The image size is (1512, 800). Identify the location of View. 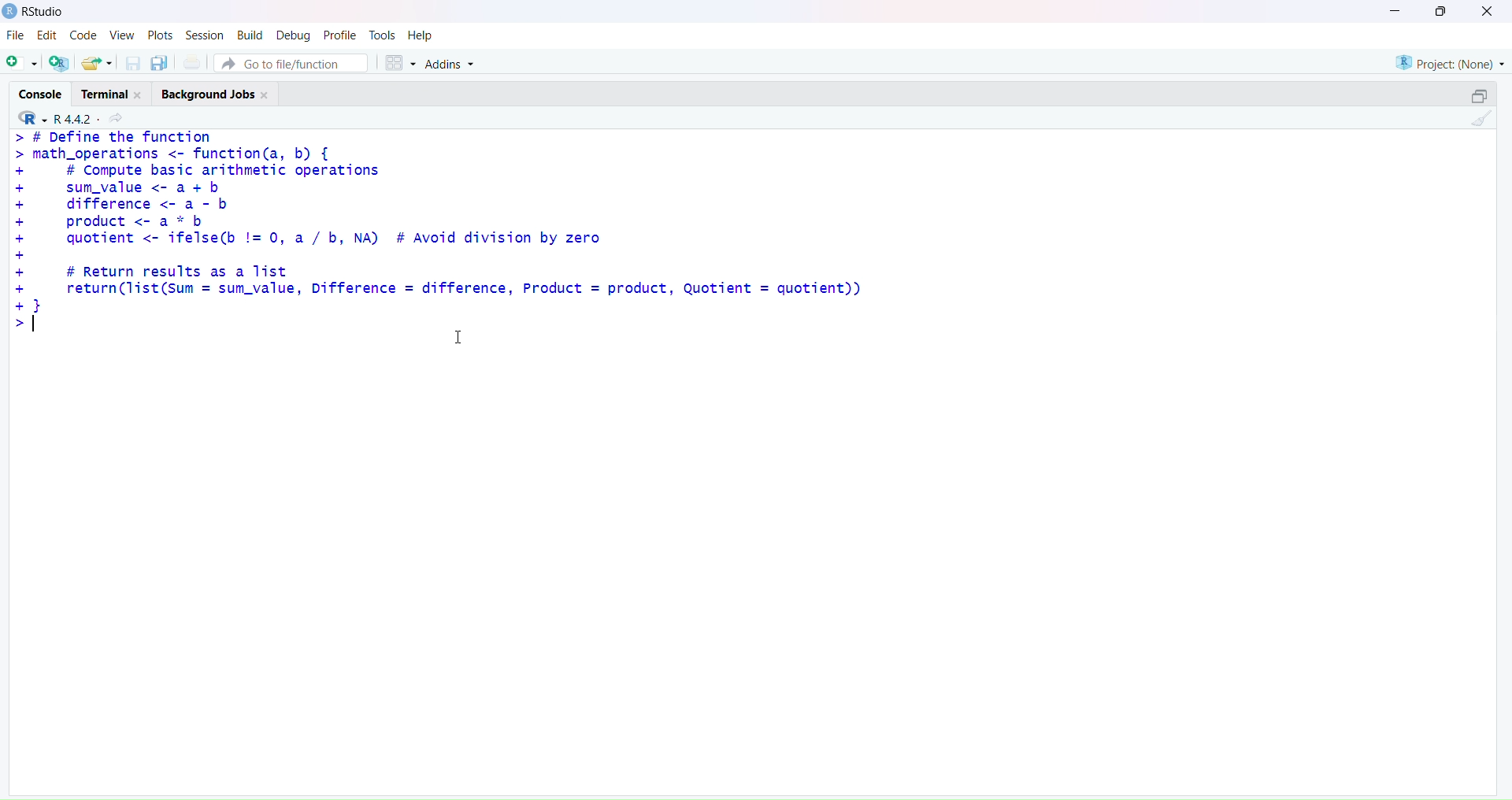
(122, 35).